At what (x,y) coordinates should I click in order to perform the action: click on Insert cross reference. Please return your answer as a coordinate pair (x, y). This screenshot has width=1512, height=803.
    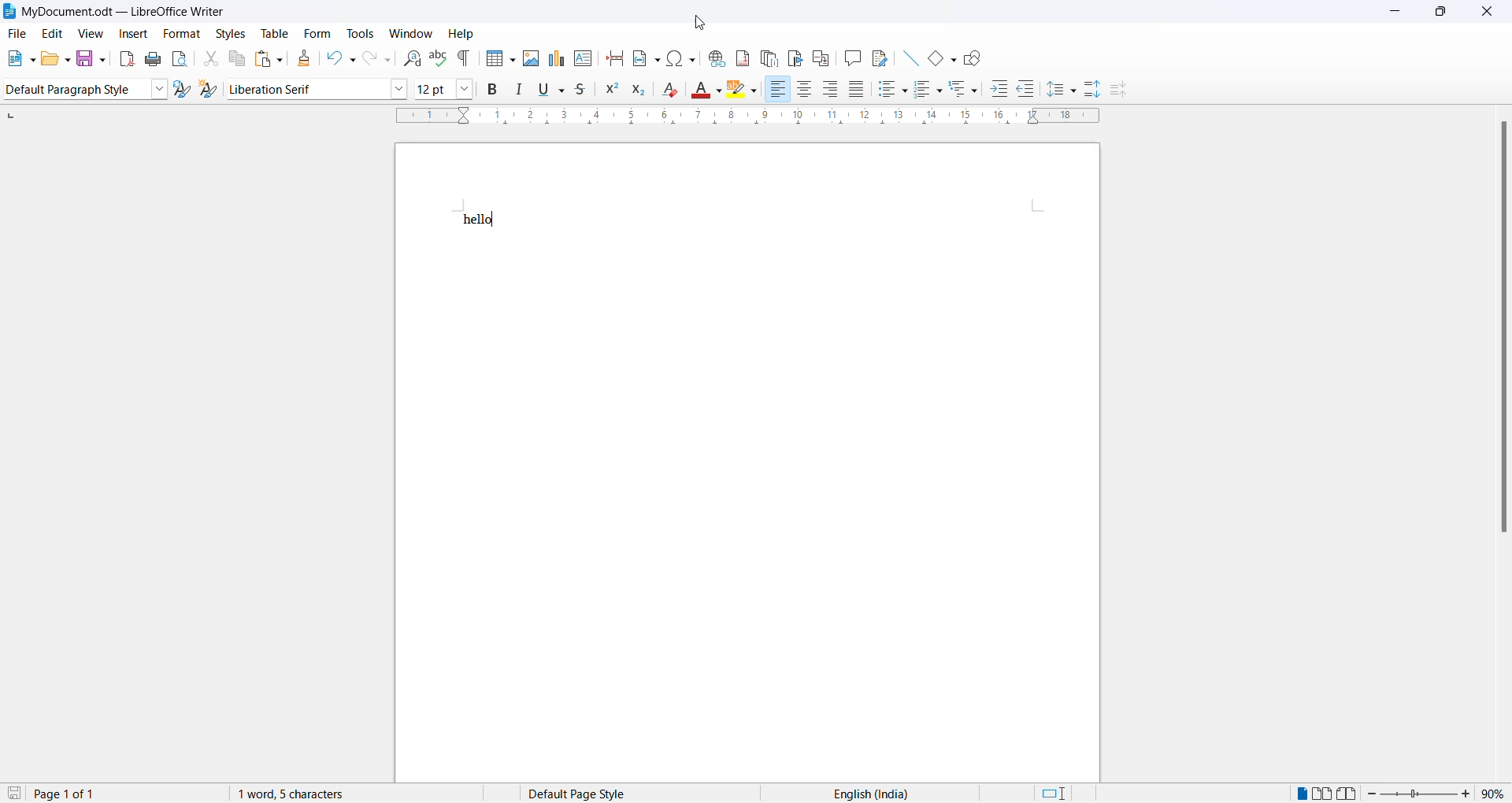
    Looking at the image, I should click on (819, 59).